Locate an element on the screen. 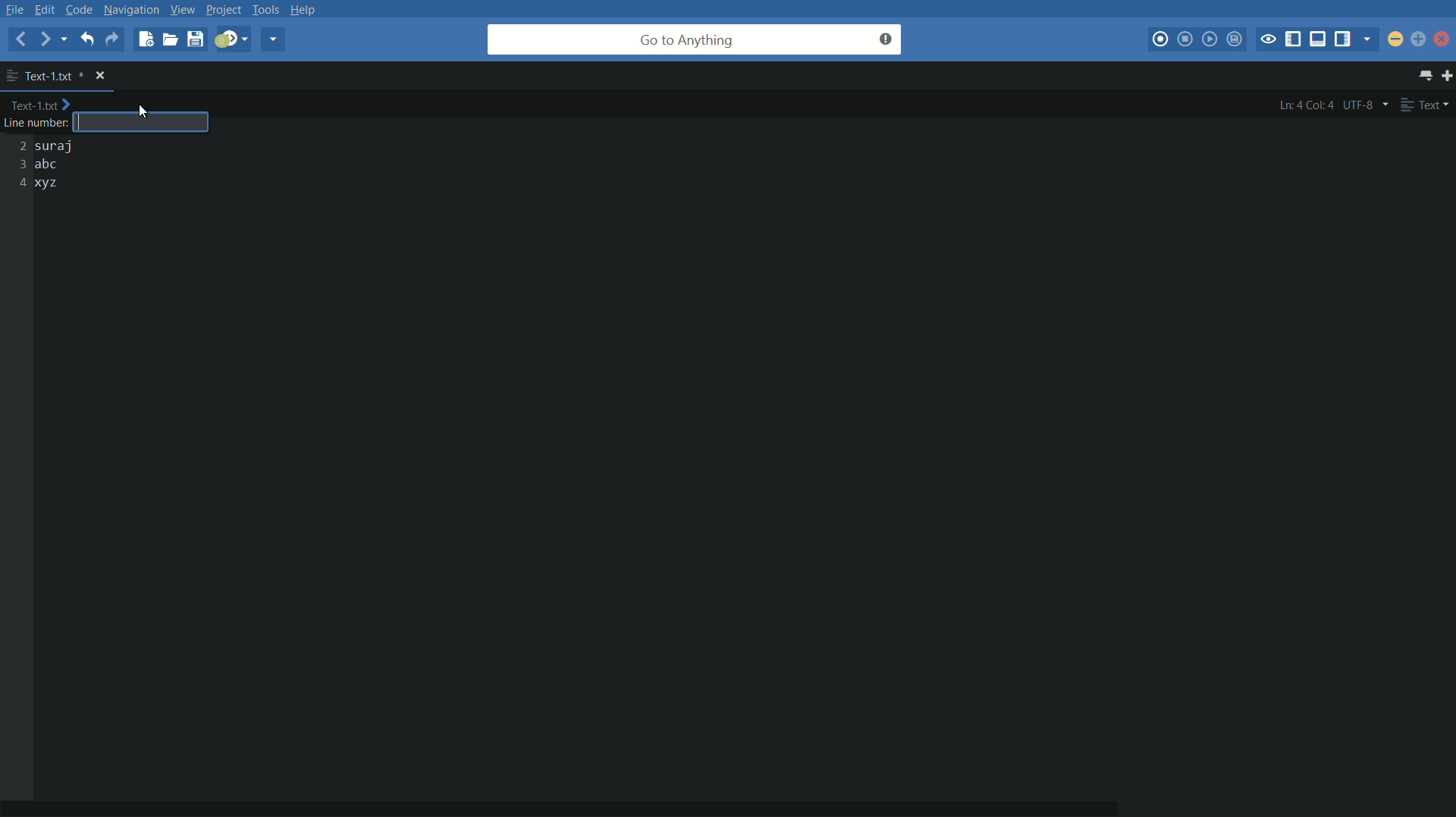  back is located at coordinates (20, 39).